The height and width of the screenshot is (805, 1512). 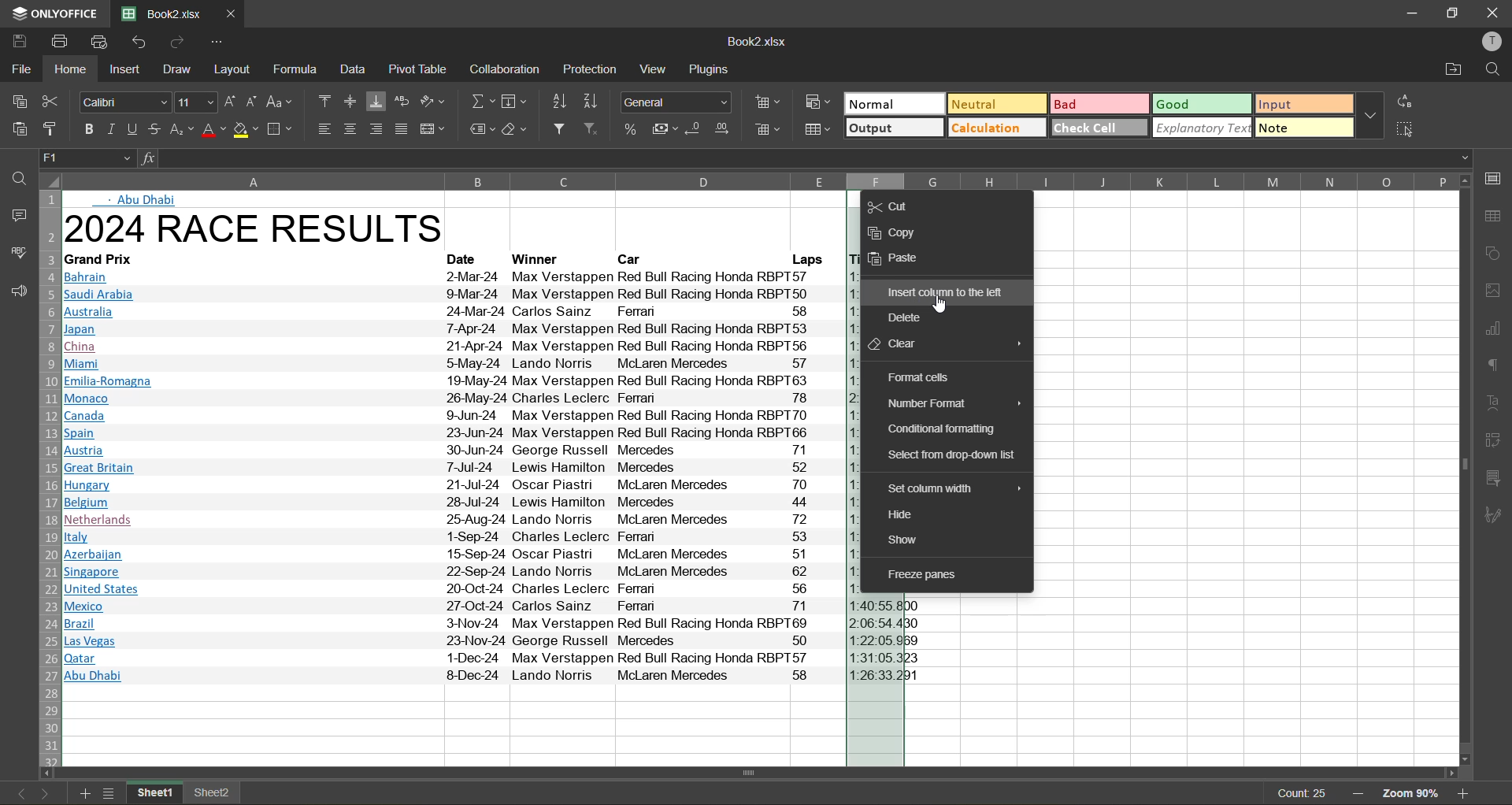 What do you see at coordinates (1497, 403) in the screenshot?
I see `text` at bounding box center [1497, 403].